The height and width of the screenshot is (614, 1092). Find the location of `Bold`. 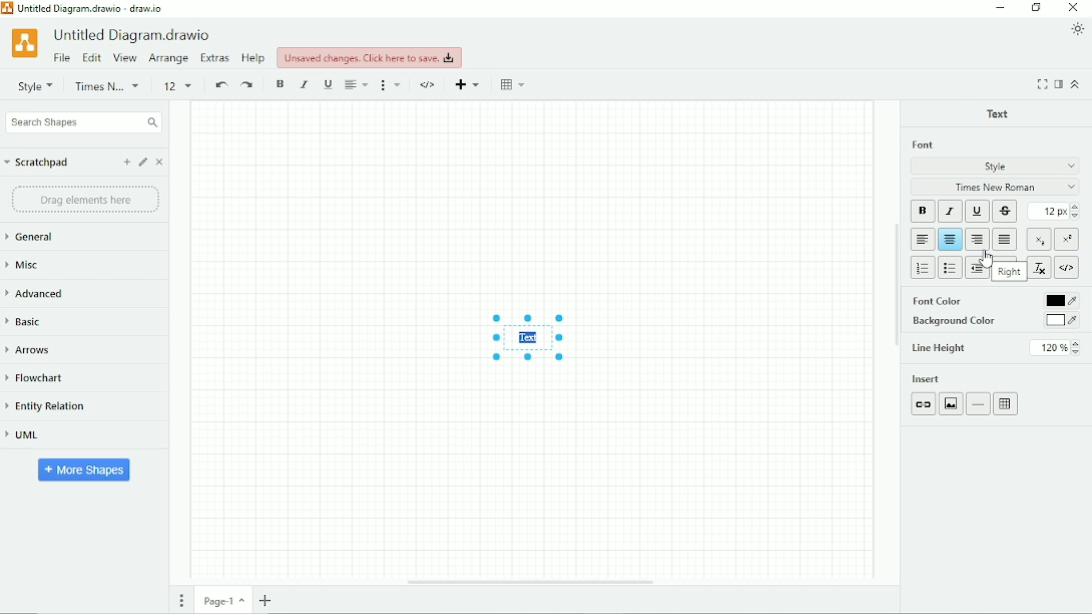

Bold is located at coordinates (280, 84).